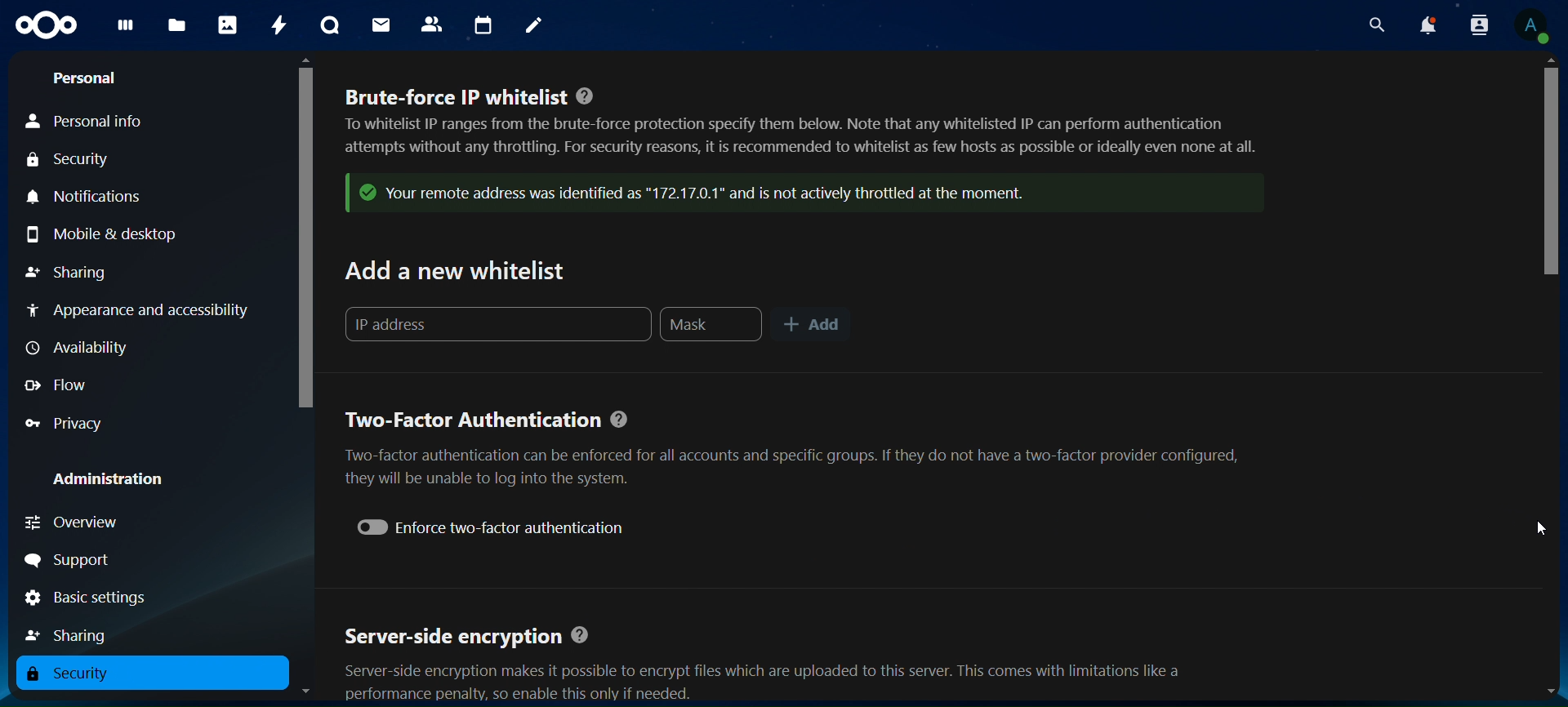 The height and width of the screenshot is (707, 1568). What do you see at coordinates (1533, 26) in the screenshot?
I see `view profile` at bounding box center [1533, 26].